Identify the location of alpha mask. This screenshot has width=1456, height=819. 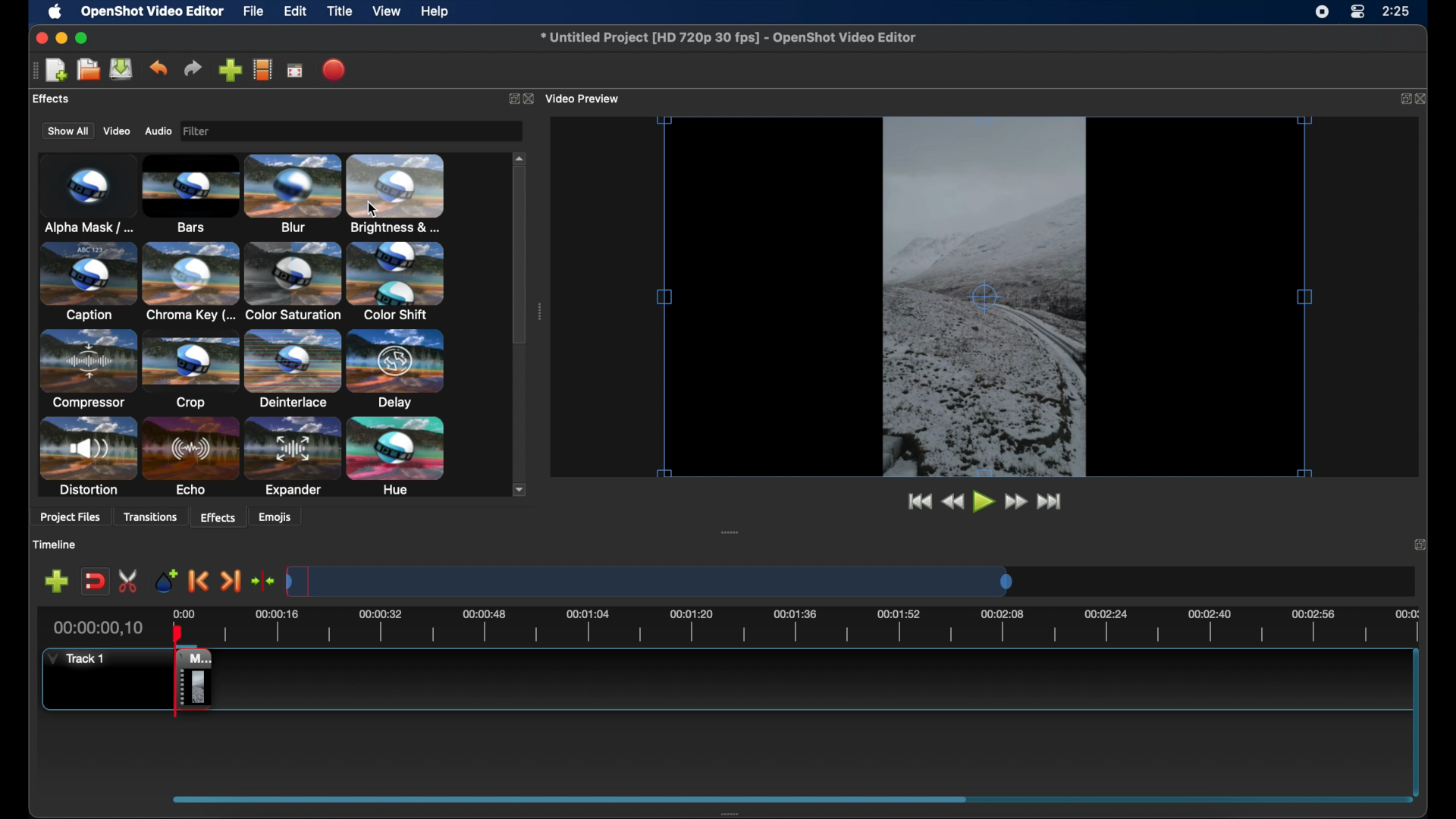
(86, 193).